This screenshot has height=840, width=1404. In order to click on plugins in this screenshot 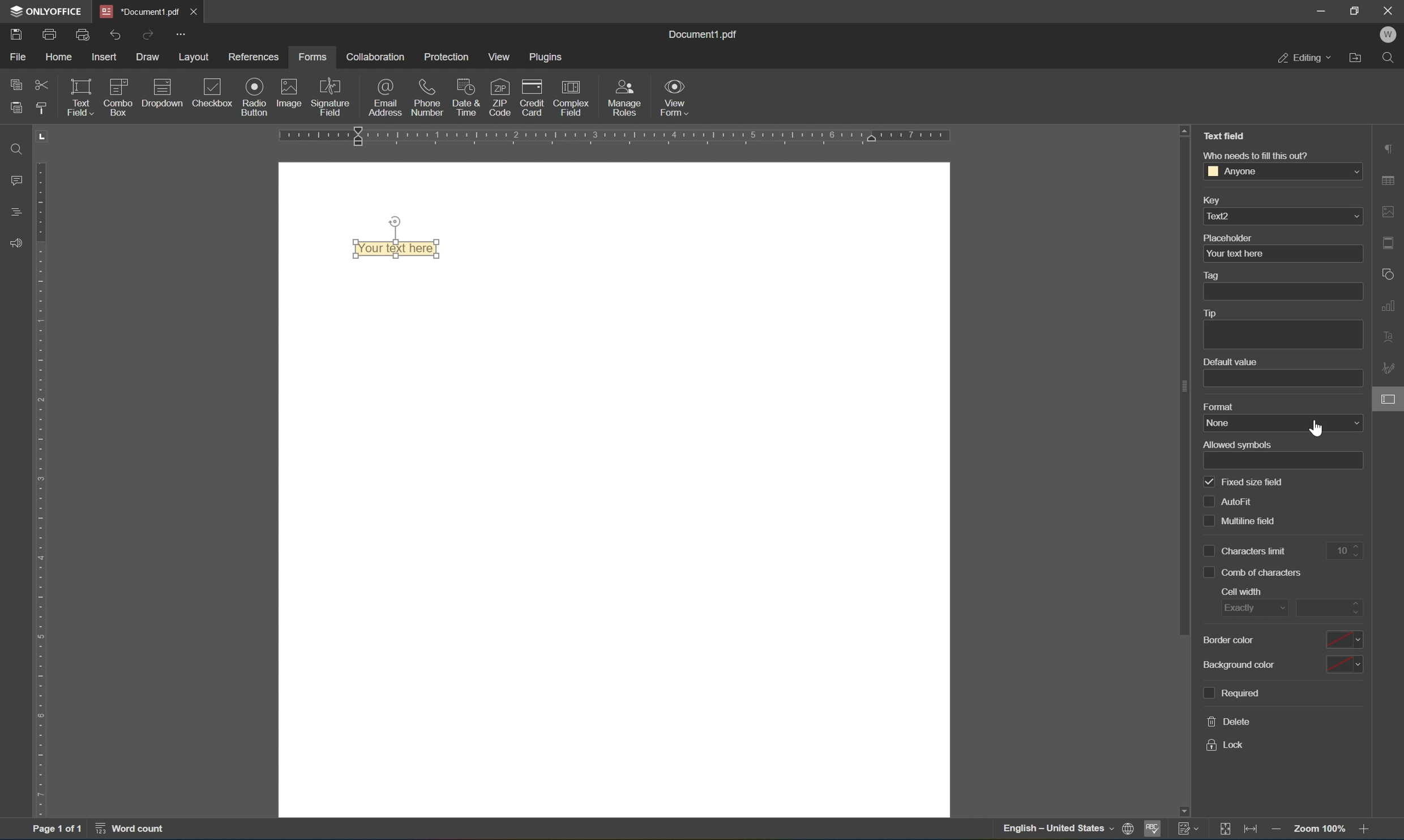, I will do `click(549, 57)`.